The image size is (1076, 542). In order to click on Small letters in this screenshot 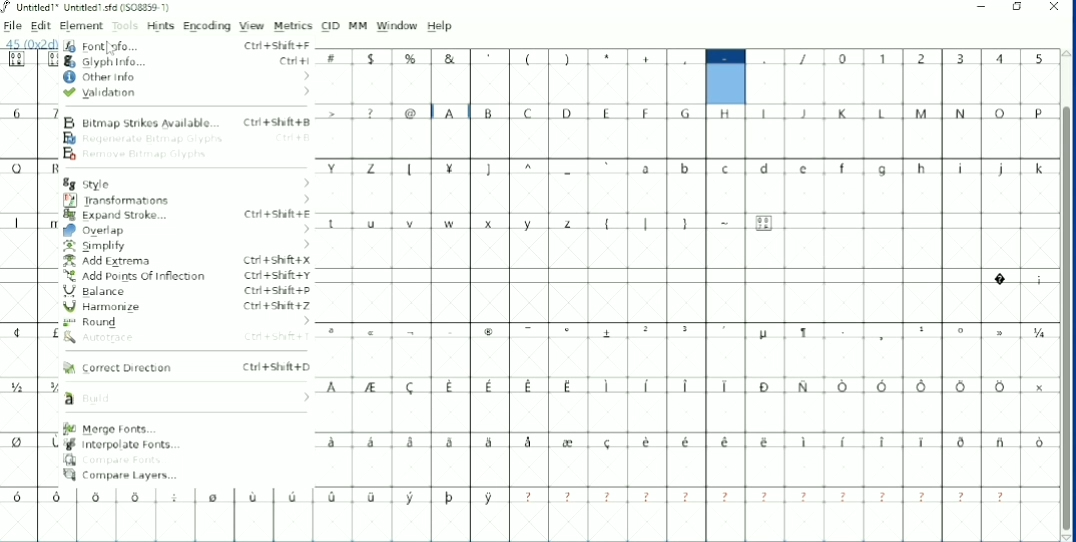, I will do `click(450, 225)`.